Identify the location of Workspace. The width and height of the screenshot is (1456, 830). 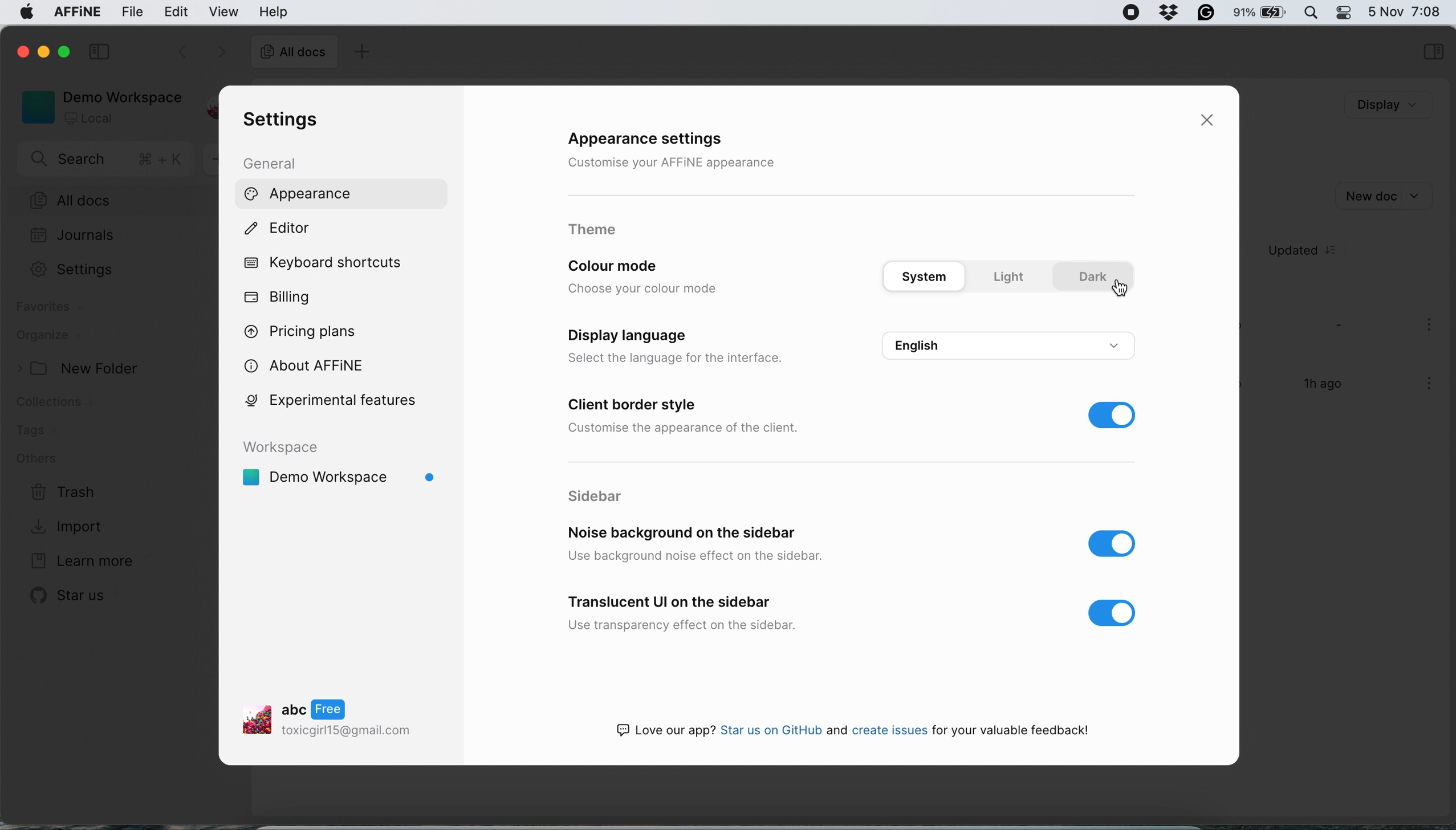
(289, 447).